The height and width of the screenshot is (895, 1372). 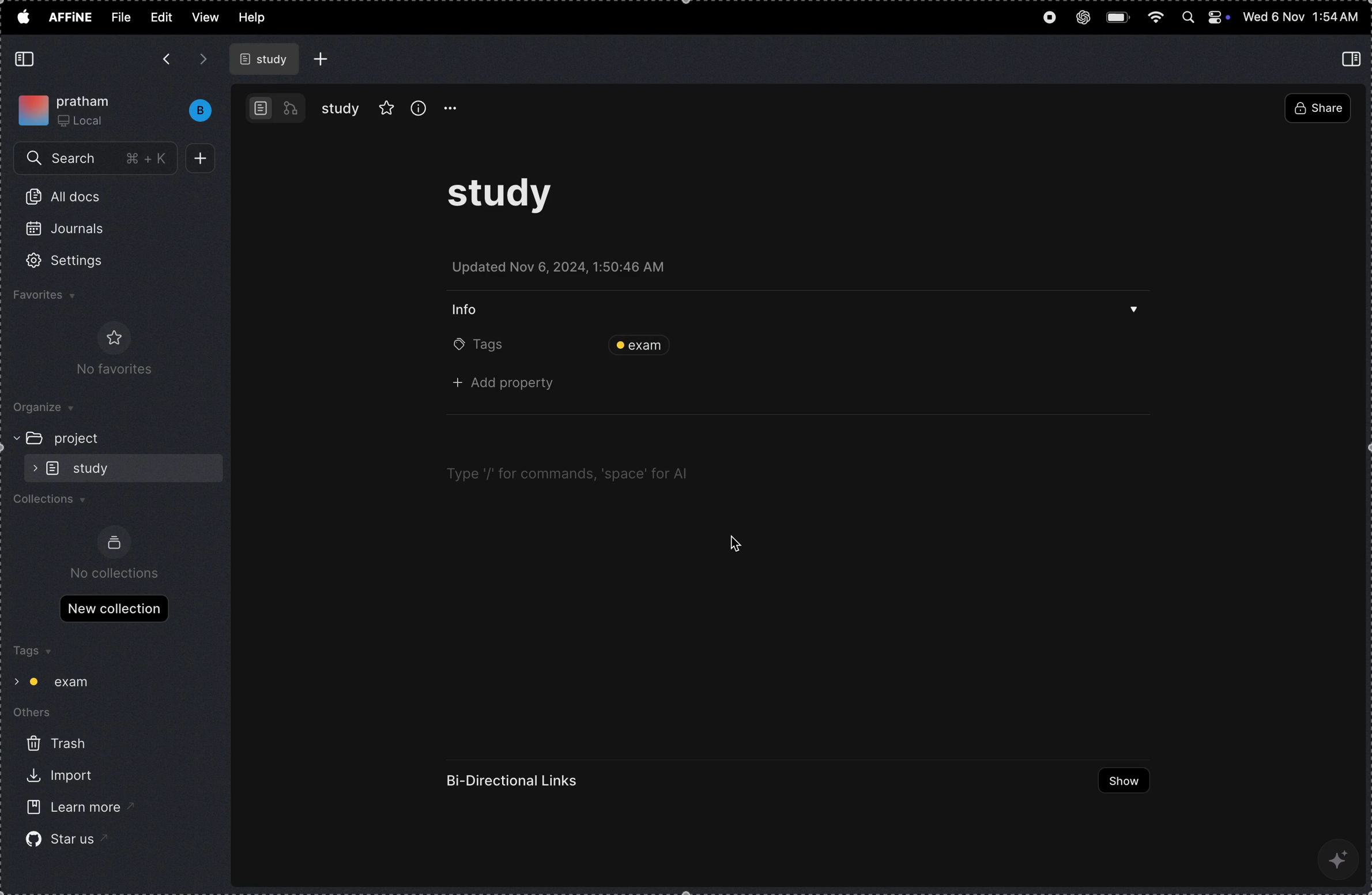 What do you see at coordinates (22, 16) in the screenshot?
I see `apple menu` at bounding box center [22, 16].